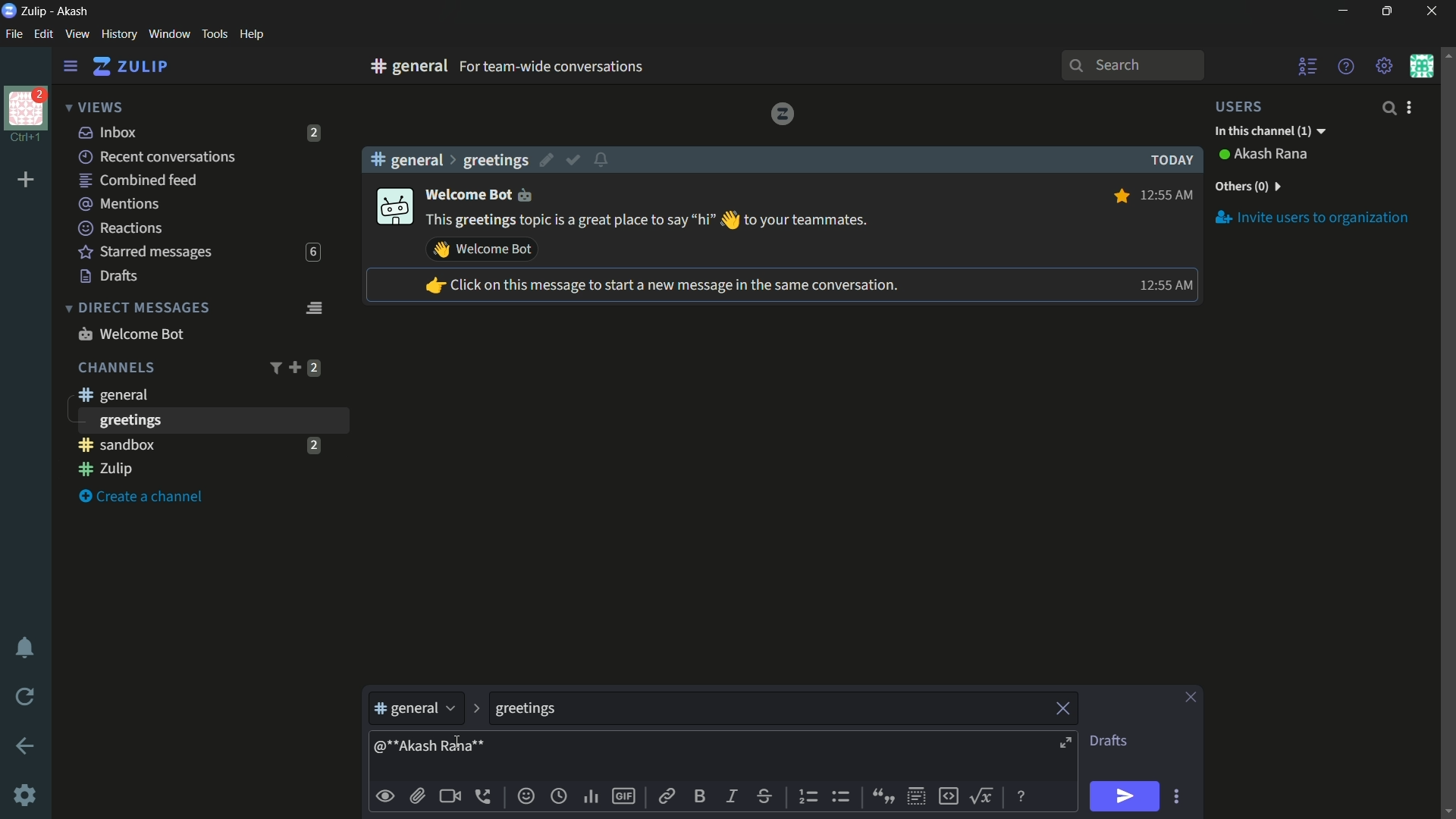 The image size is (1456, 819). What do you see at coordinates (313, 306) in the screenshot?
I see `direct message feed` at bounding box center [313, 306].